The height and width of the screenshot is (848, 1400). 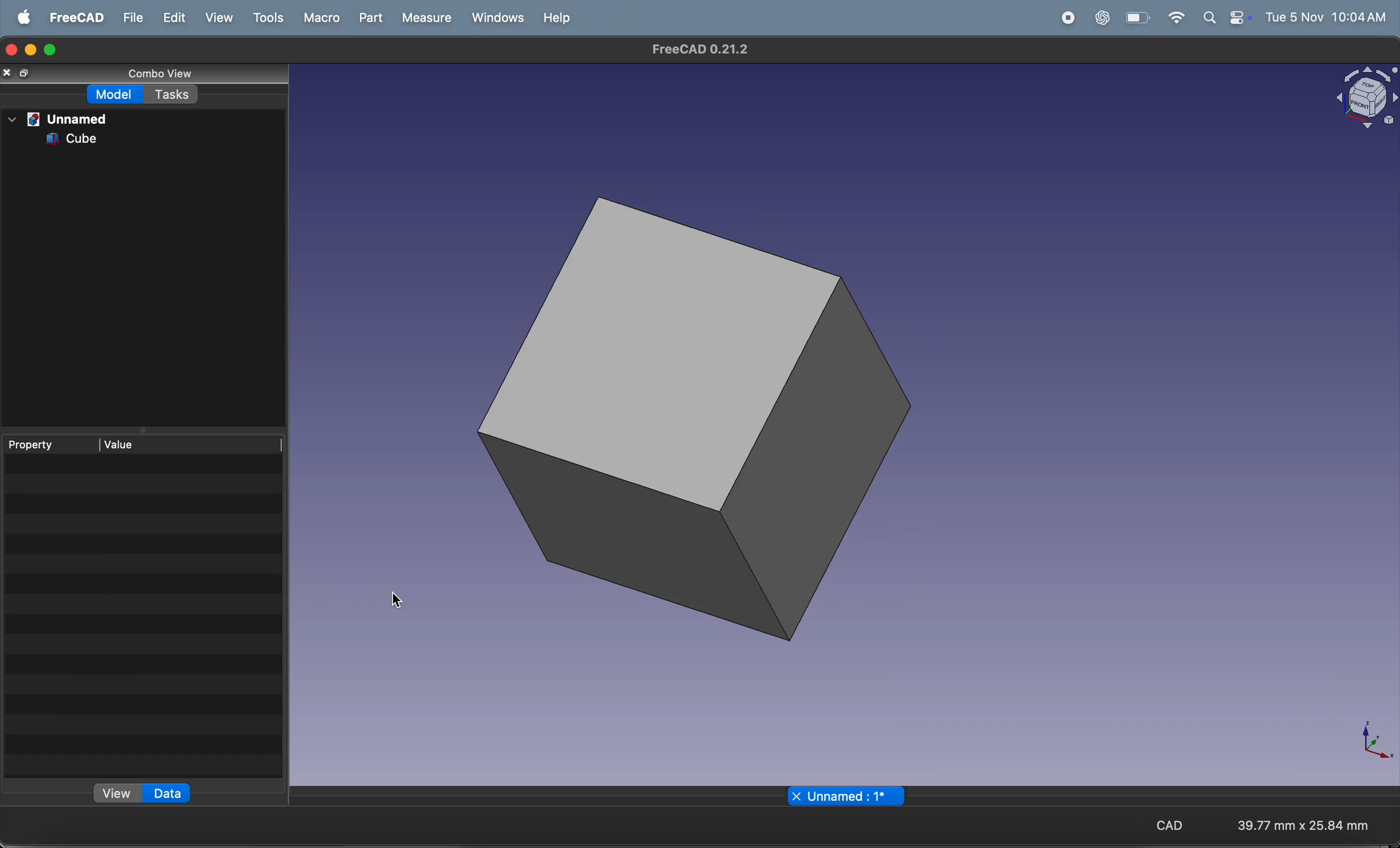 I want to click on freecad tiltle, so click(x=703, y=48).